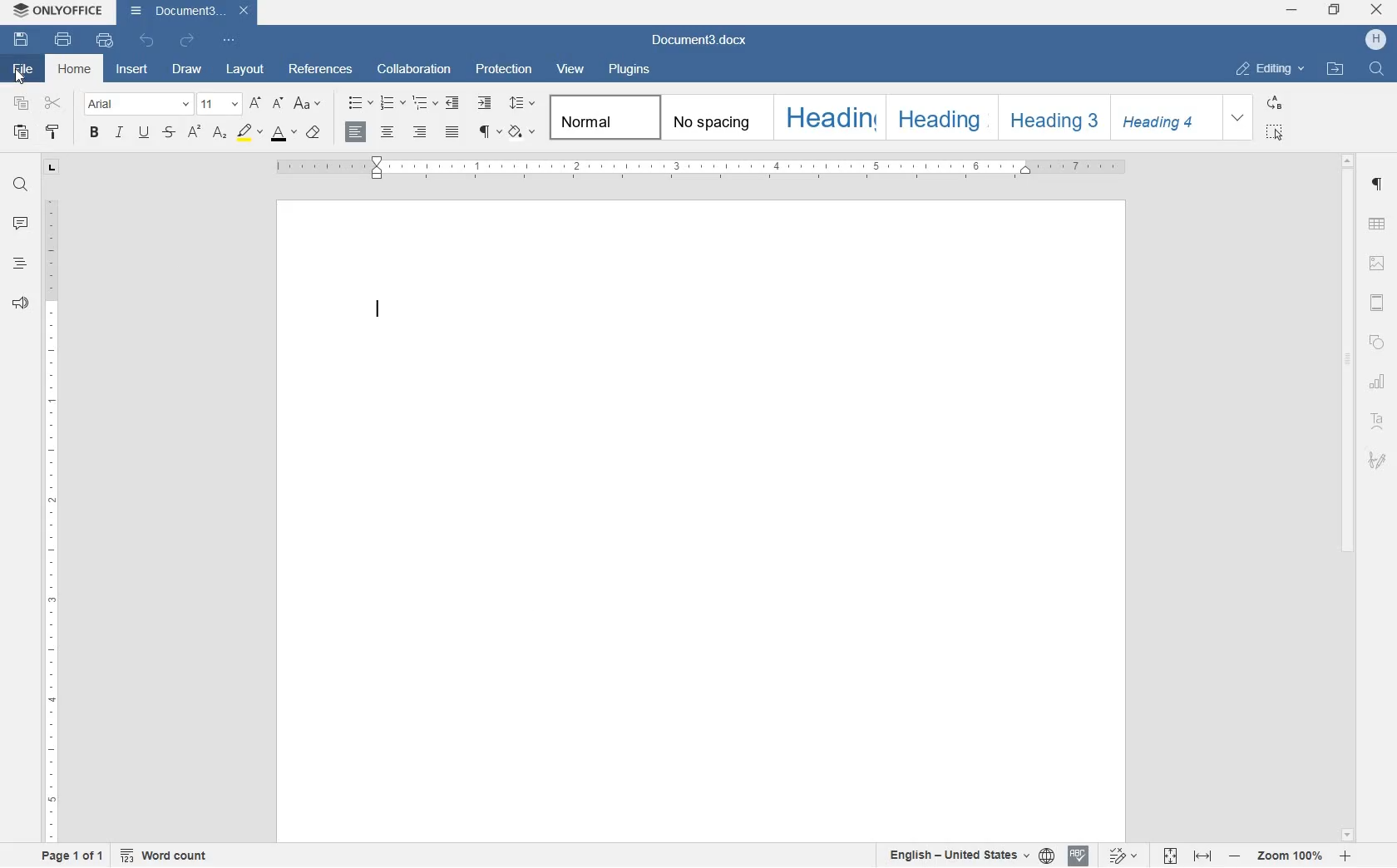  Describe the element at coordinates (74, 70) in the screenshot. I see `home` at that location.